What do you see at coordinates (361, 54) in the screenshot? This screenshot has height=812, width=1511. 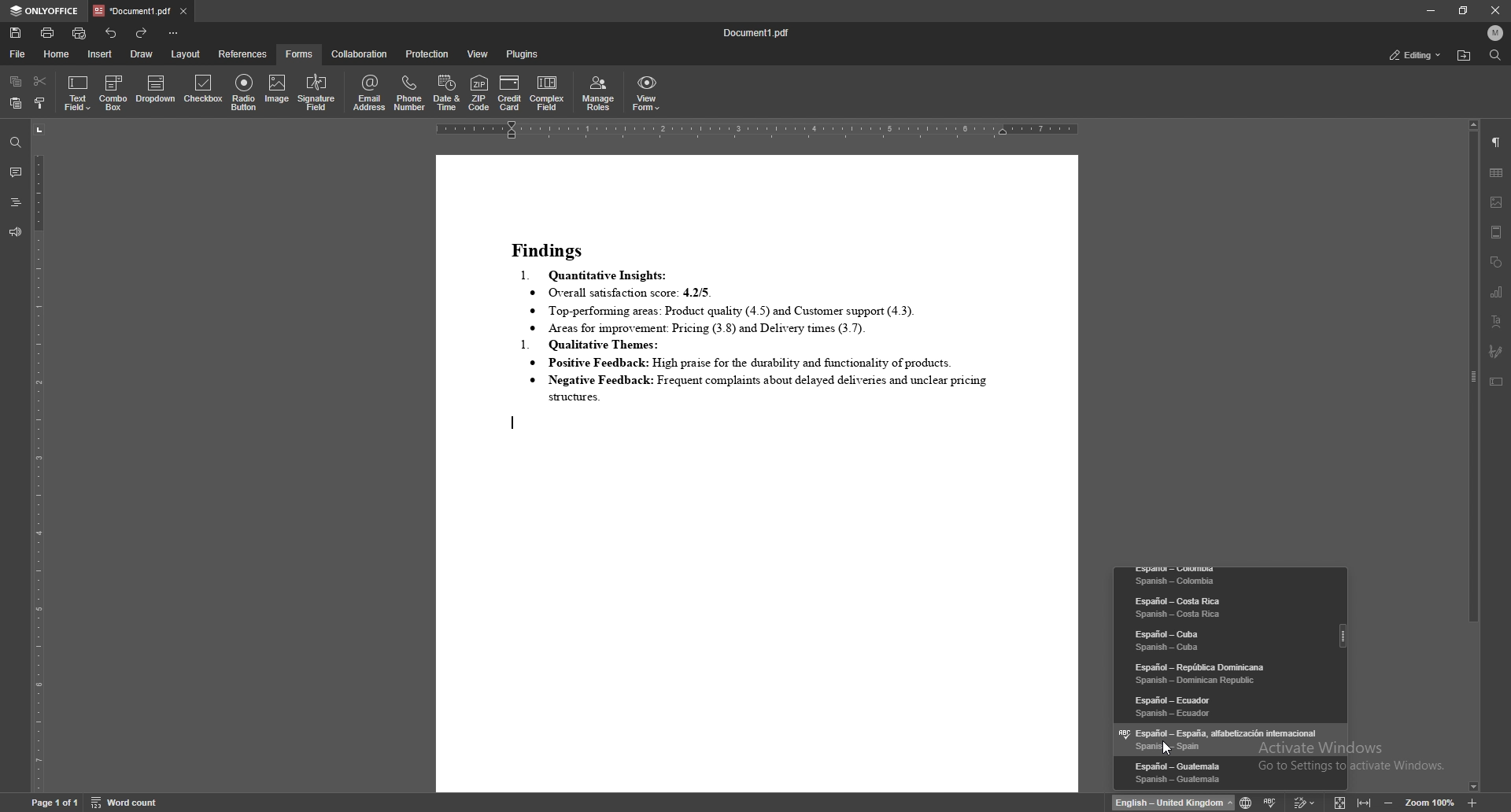 I see `collaboration` at bounding box center [361, 54].